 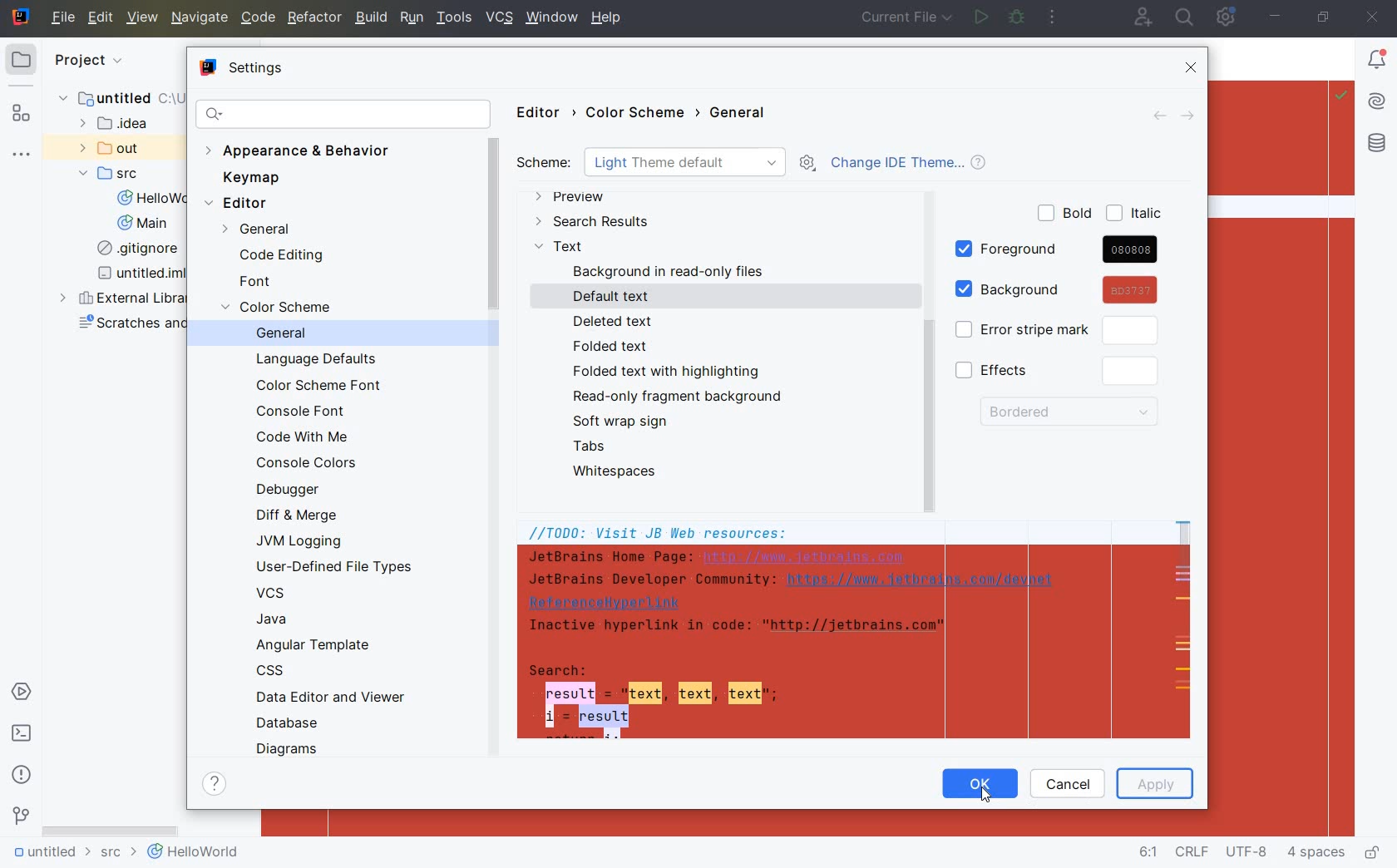 I want to click on debug, so click(x=1017, y=17).